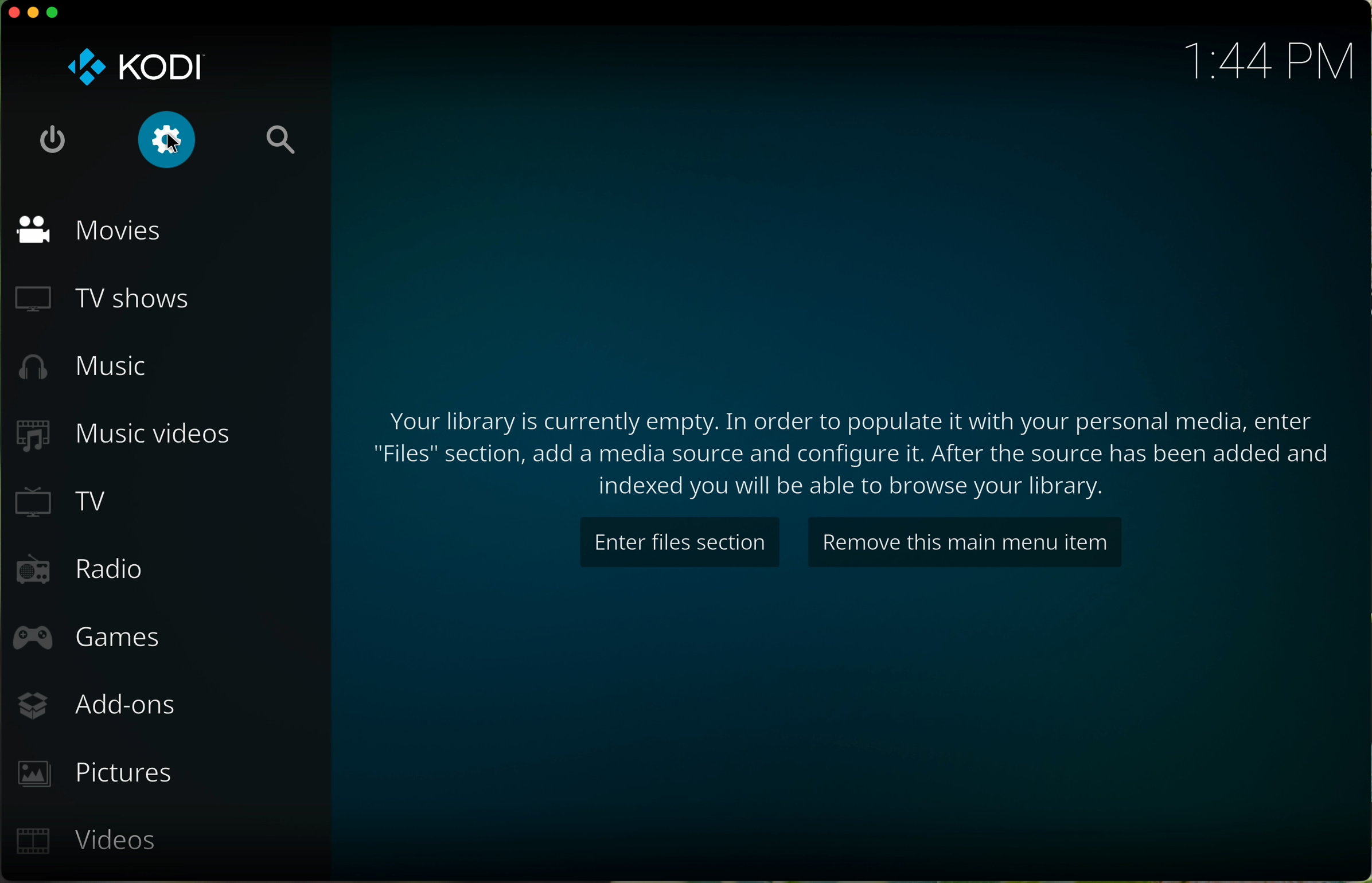  I want to click on notes, so click(852, 448).